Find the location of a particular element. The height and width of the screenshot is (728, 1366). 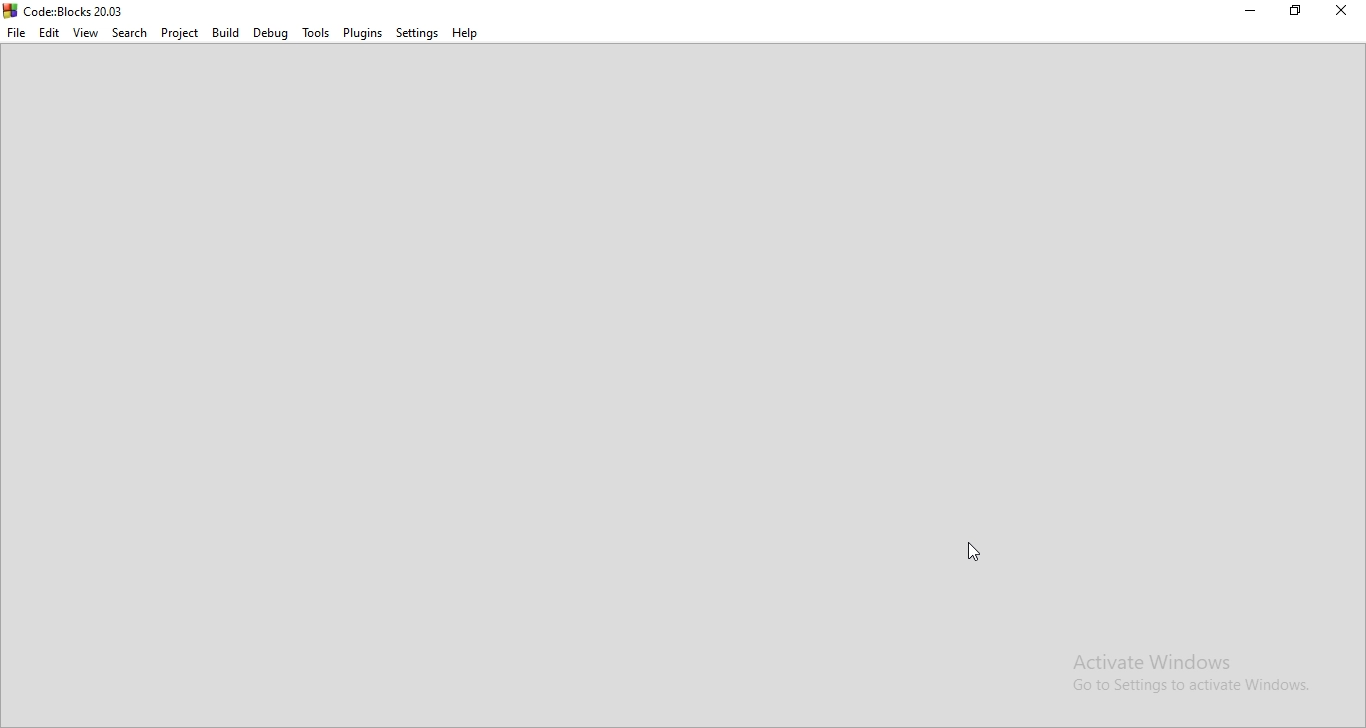

File is located at coordinates (17, 34).